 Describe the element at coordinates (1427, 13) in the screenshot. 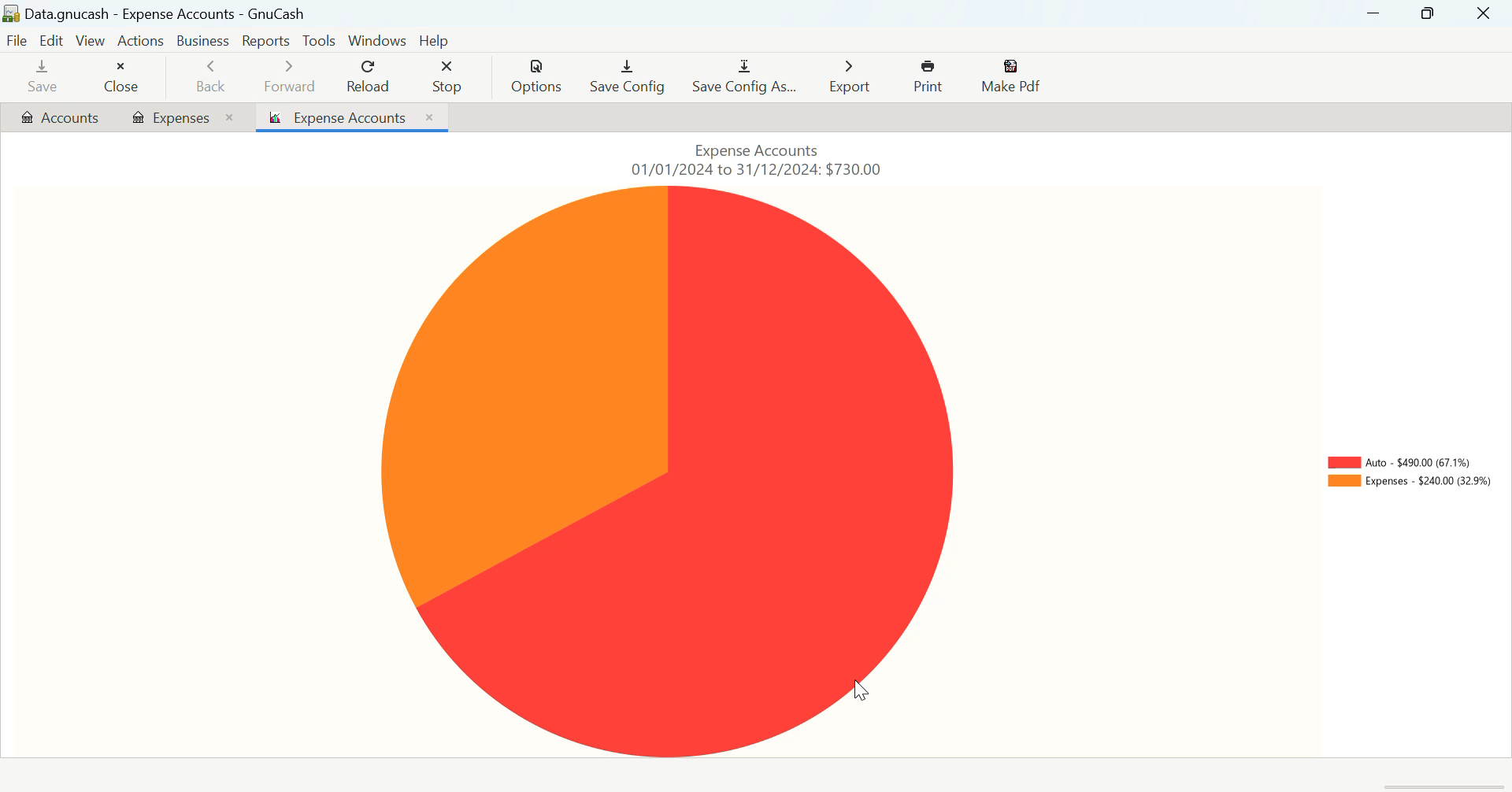

I see `Minimize` at that location.